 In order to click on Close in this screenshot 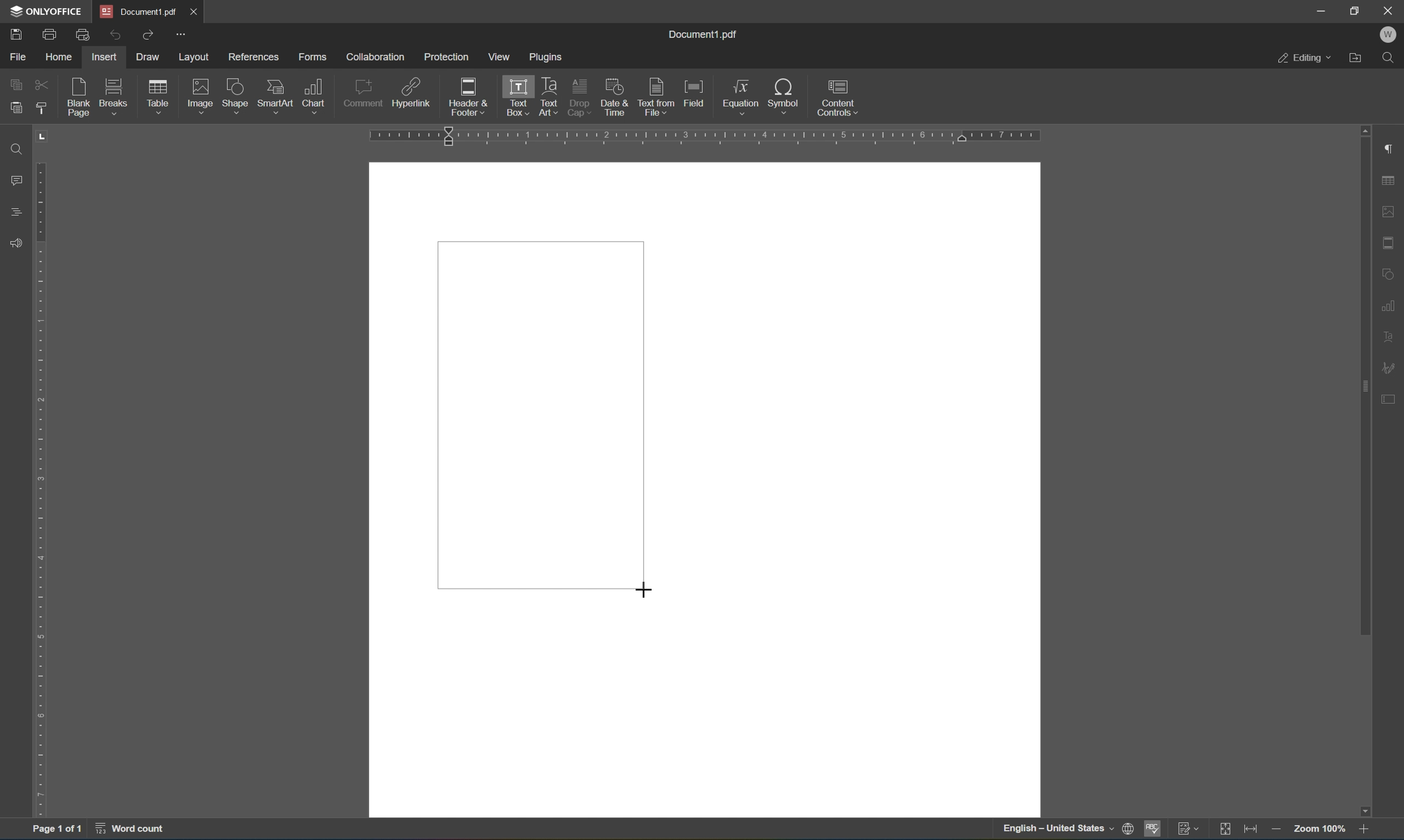, I will do `click(195, 11)`.